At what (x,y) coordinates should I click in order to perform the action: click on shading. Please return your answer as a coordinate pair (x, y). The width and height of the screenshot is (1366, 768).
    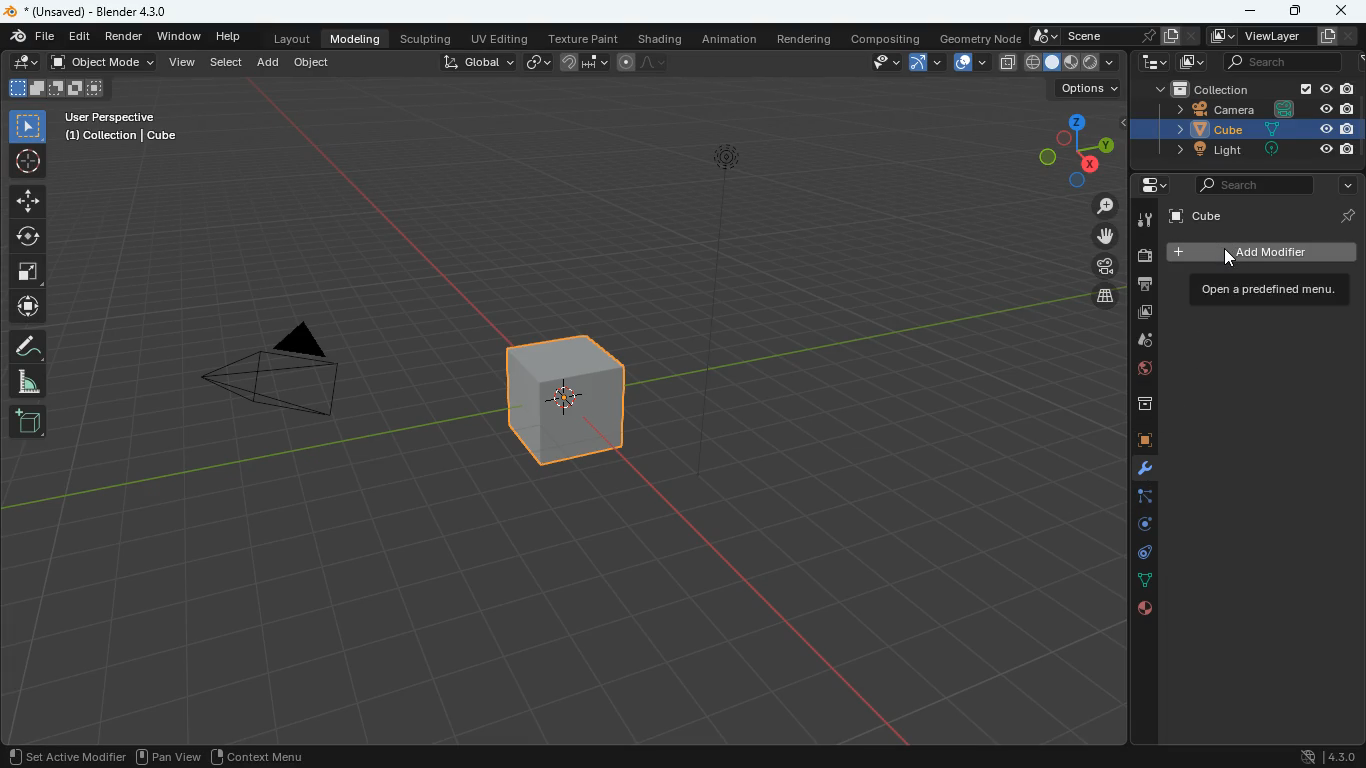
    Looking at the image, I should click on (663, 39).